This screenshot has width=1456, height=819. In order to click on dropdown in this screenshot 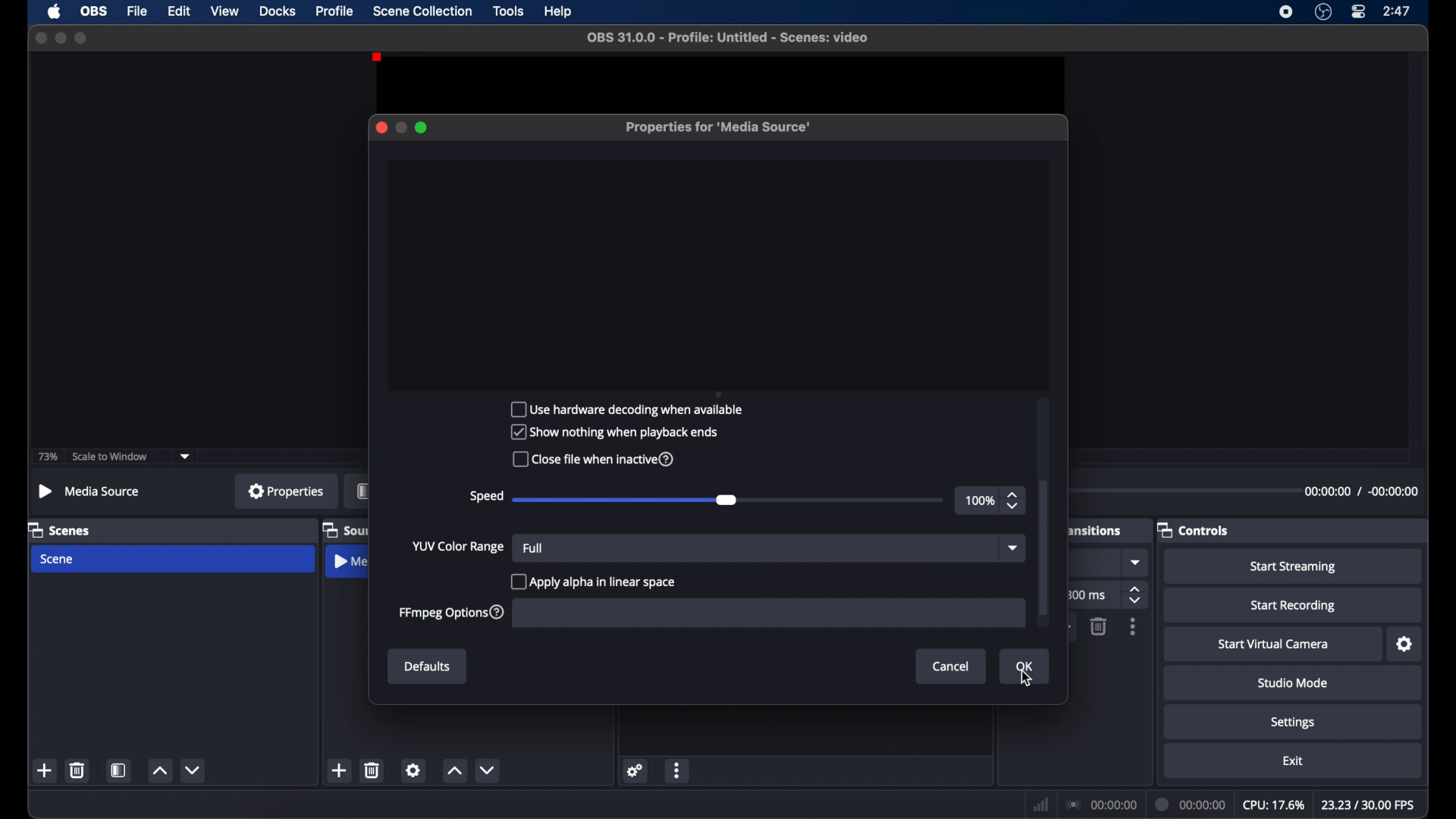, I will do `click(186, 457)`.